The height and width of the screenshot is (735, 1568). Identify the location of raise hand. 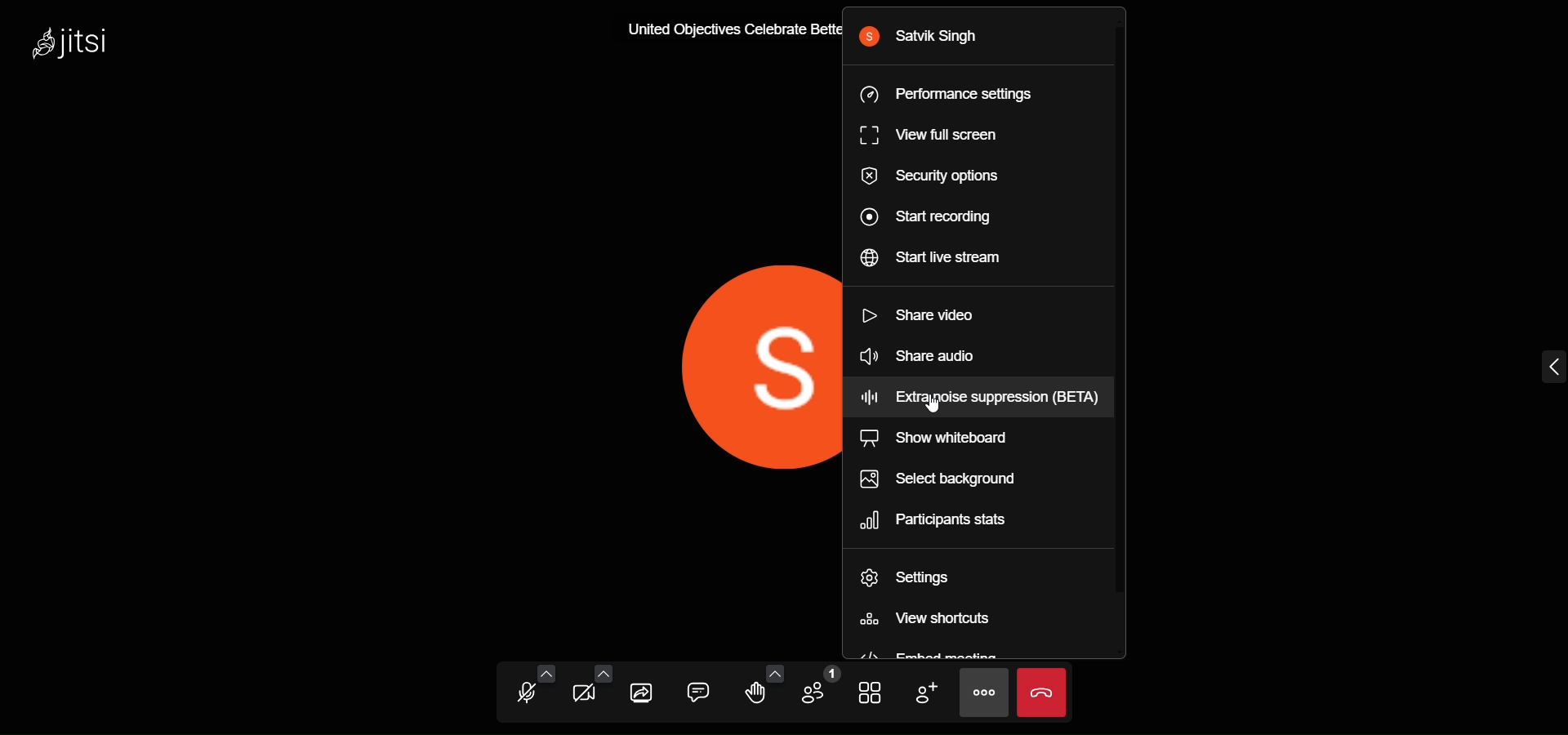
(759, 696).